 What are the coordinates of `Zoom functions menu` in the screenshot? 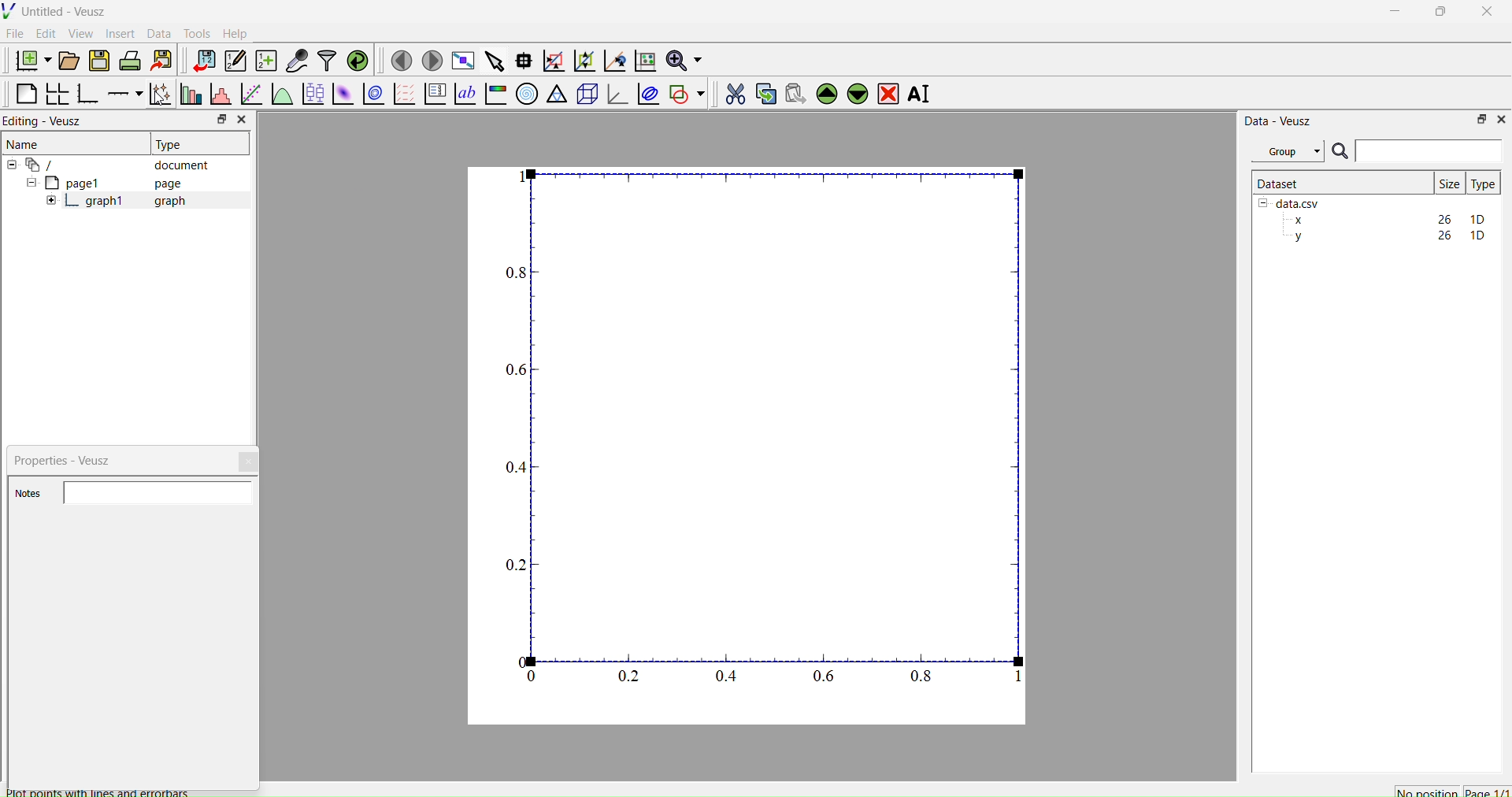 It's located at (683, 58).